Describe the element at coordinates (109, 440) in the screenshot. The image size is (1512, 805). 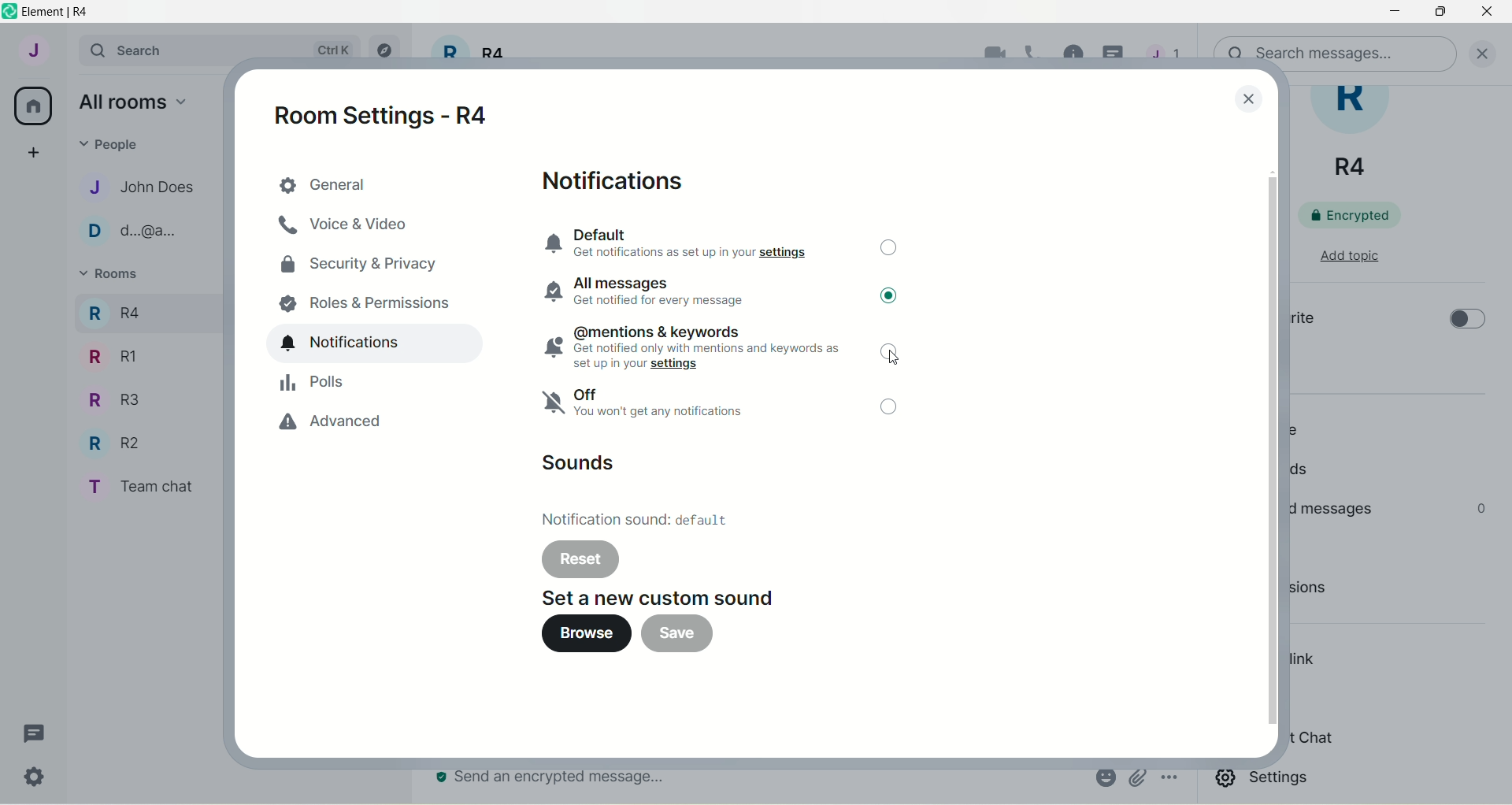
I see `R R2` at that location.